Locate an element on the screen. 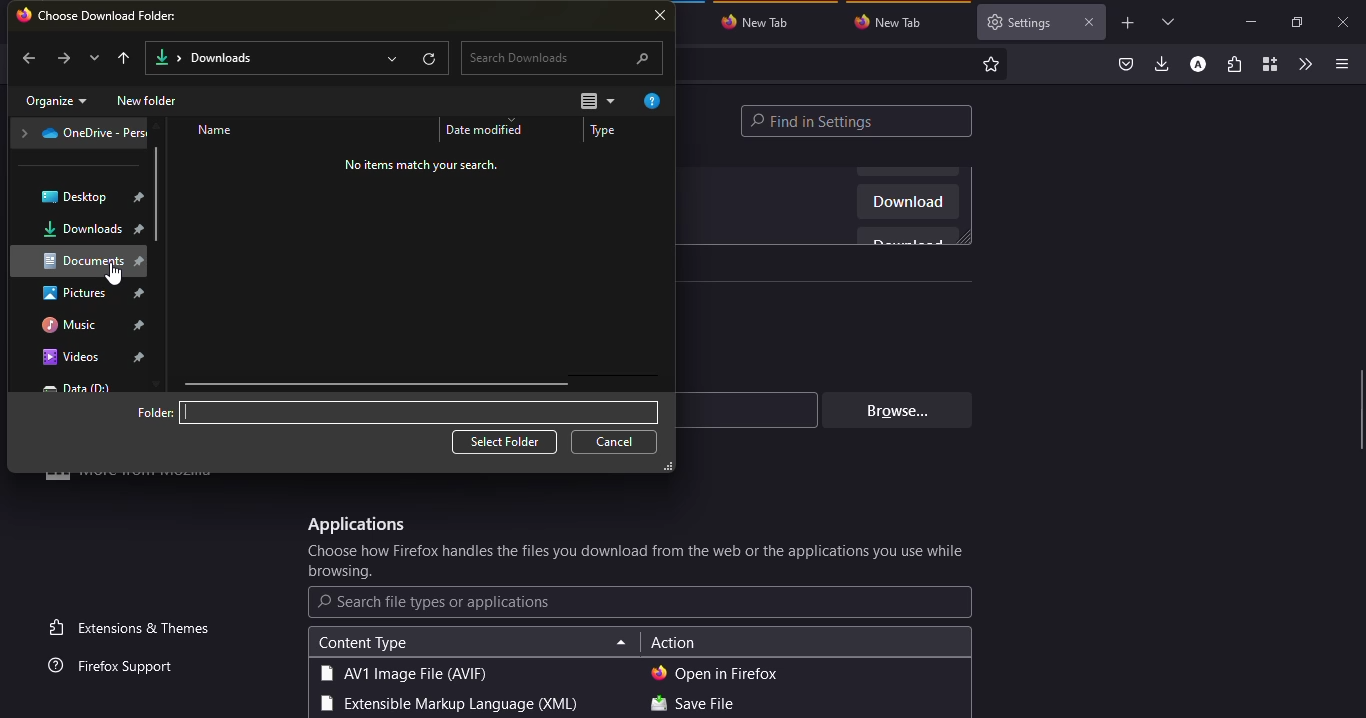 This screenshot has height=718, width=1366. forward is located at coordinates (63, 57).